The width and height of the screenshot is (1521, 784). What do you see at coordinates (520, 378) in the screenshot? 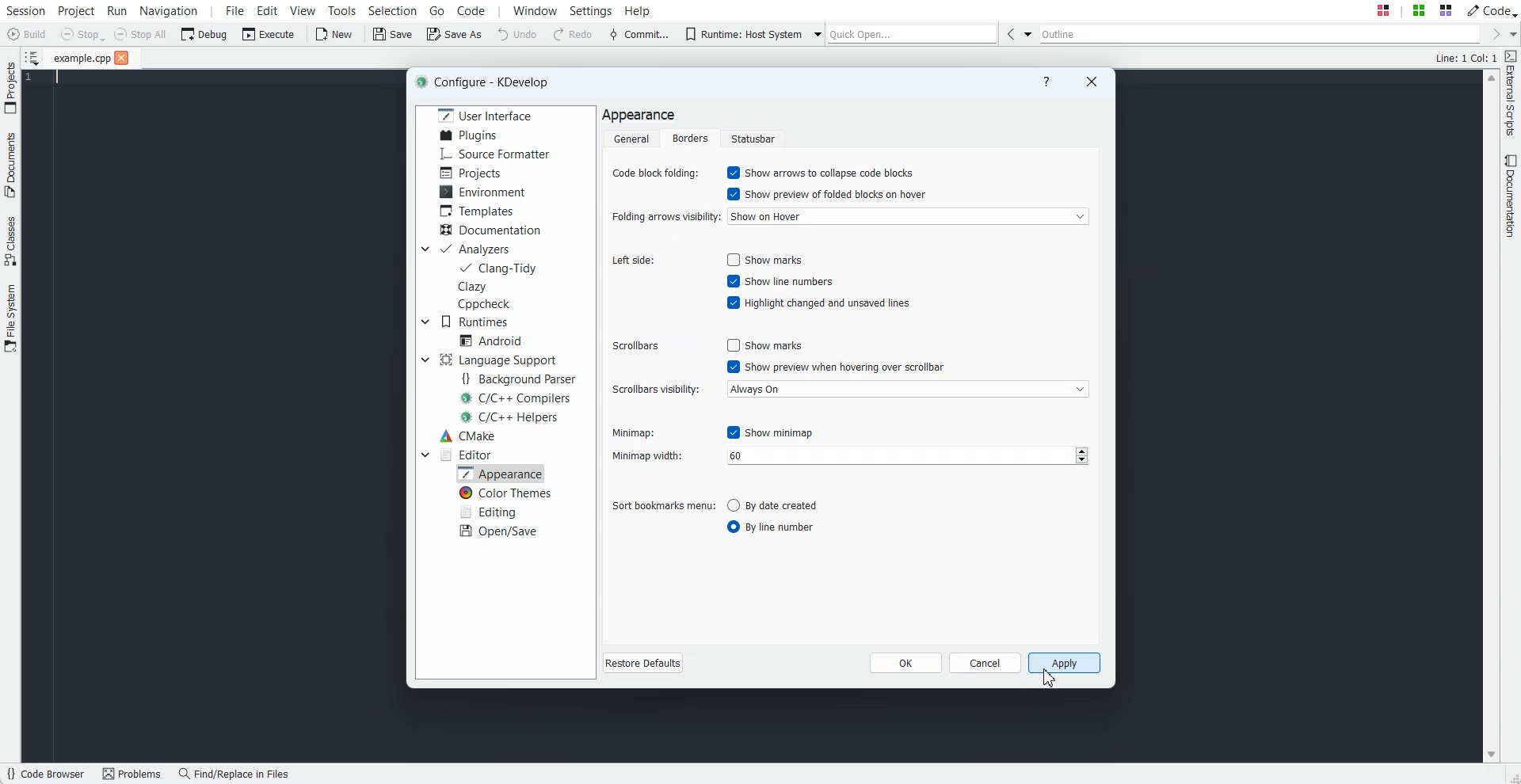
I see `Background Parser` at bounding box center [520, 378].